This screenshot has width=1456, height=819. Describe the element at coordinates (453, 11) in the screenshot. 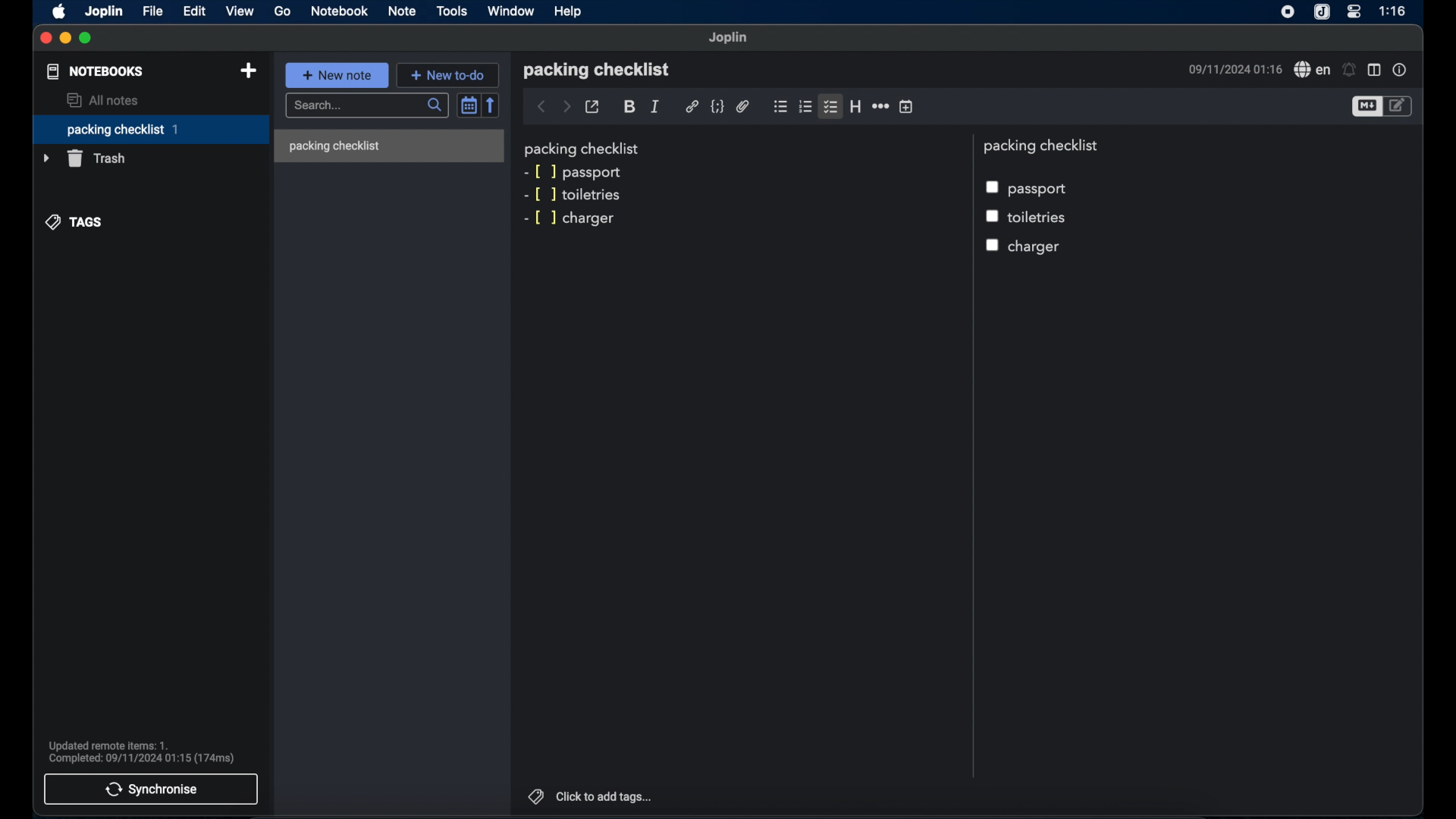

I see `tools` at that location.